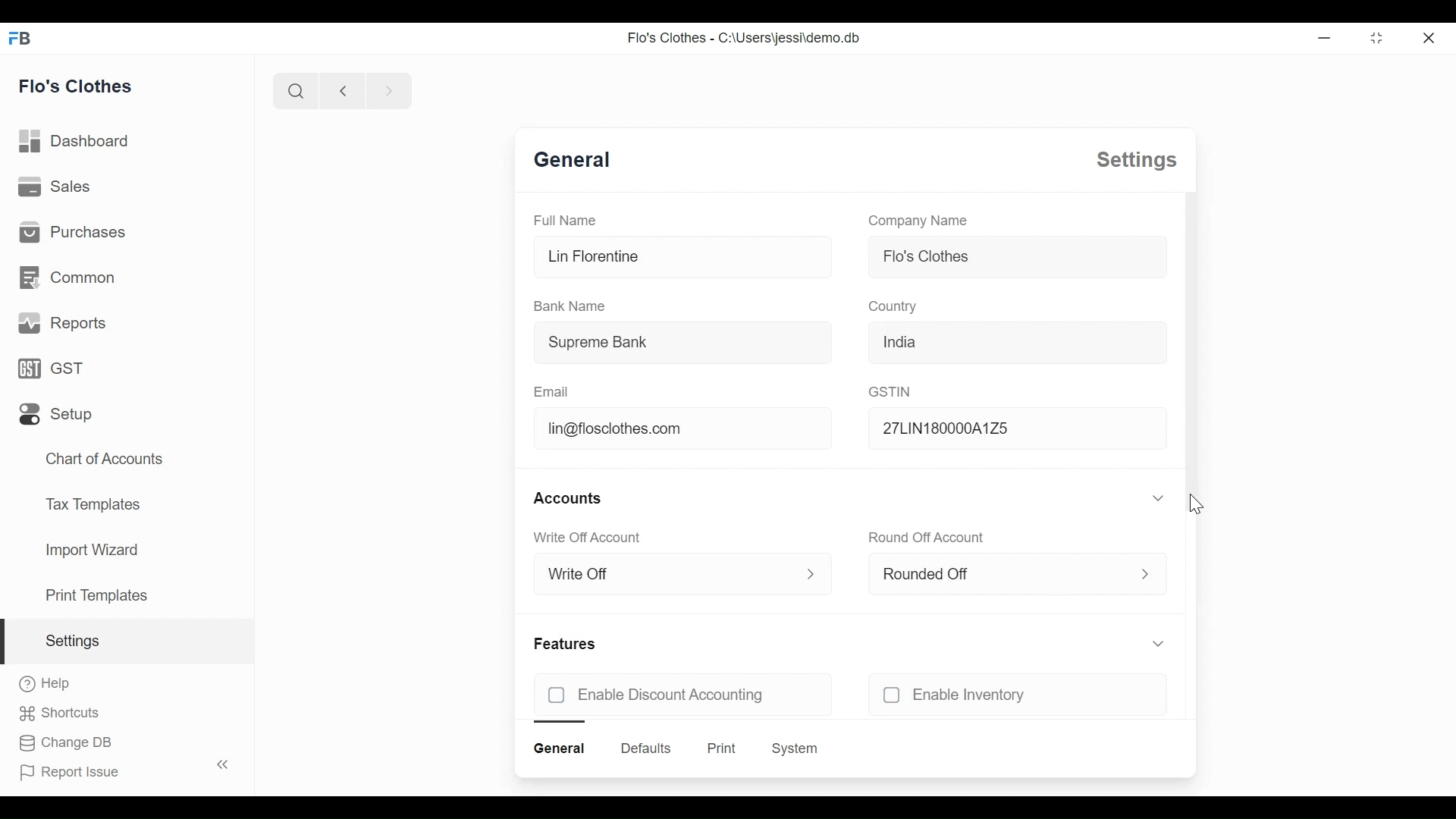 This screenshot has height=819, width=1456. Describe the element at coordinates (591, 537) in the screenshot. I see `Write Off Account` at that location.